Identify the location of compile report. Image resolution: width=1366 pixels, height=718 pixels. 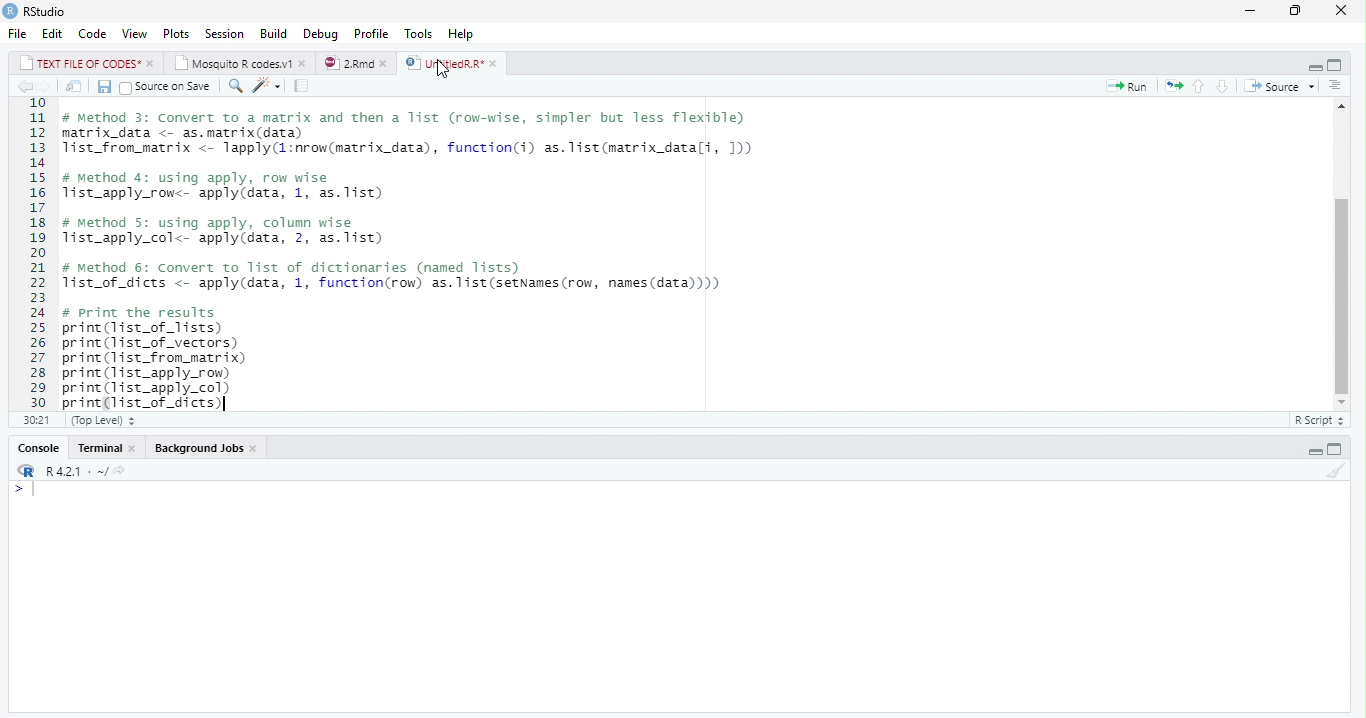
(304, 85).